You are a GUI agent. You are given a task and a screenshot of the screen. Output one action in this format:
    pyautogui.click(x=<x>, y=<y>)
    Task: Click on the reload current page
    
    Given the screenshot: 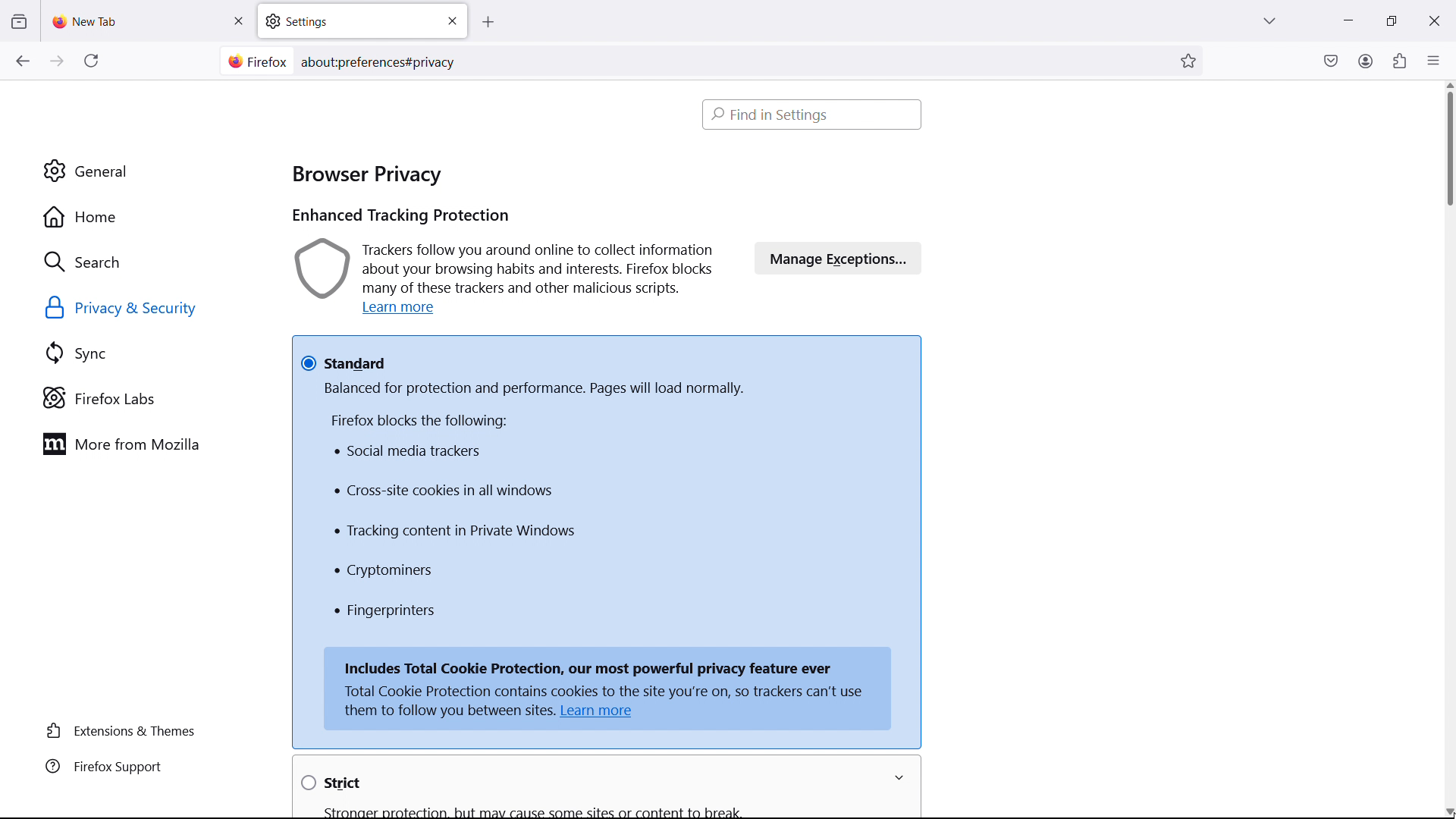 What is the action you would take?
    pyautogui.click(x=91, y=64)
    